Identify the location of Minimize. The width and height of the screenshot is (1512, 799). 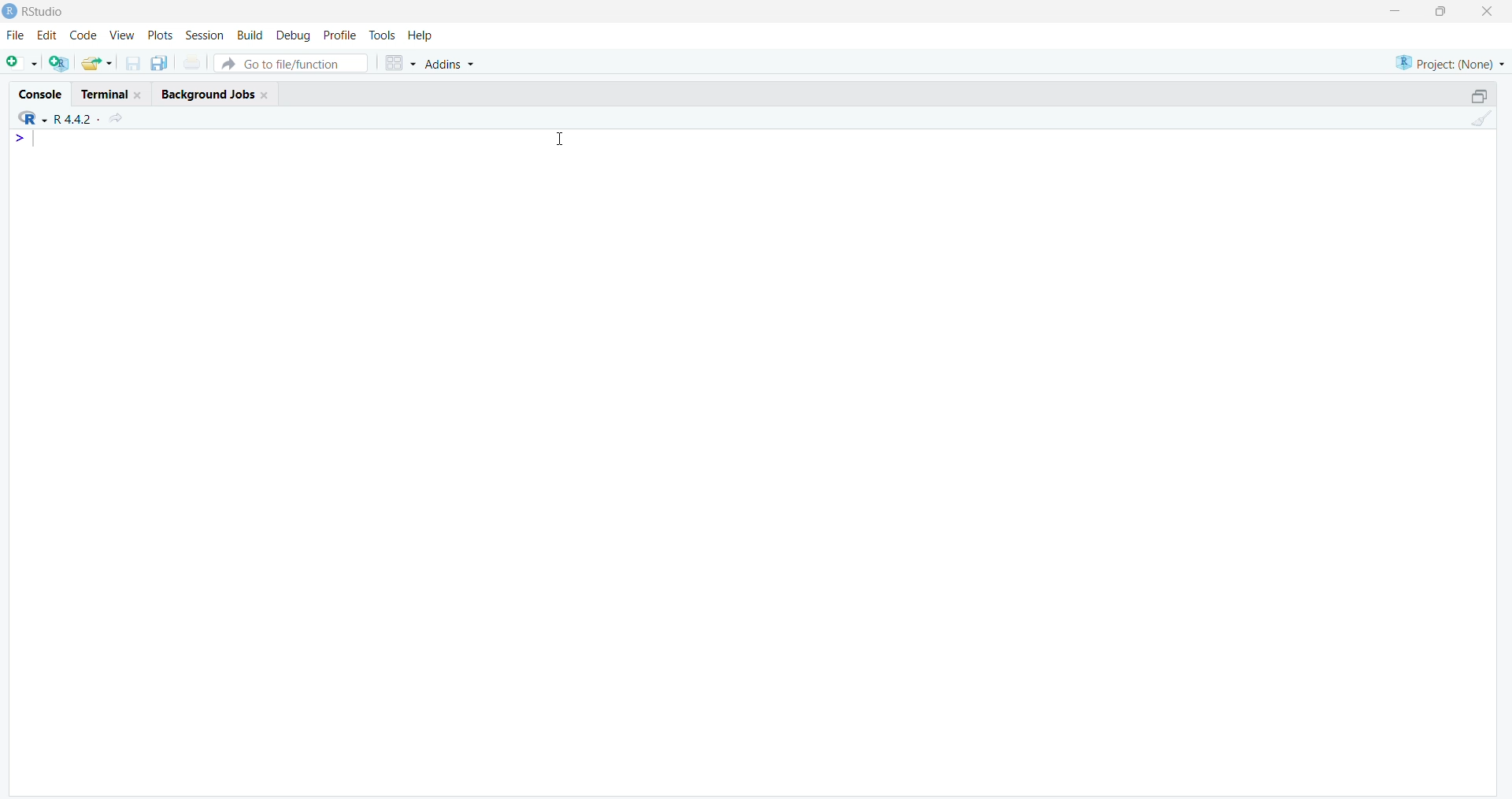
(1399, 9).